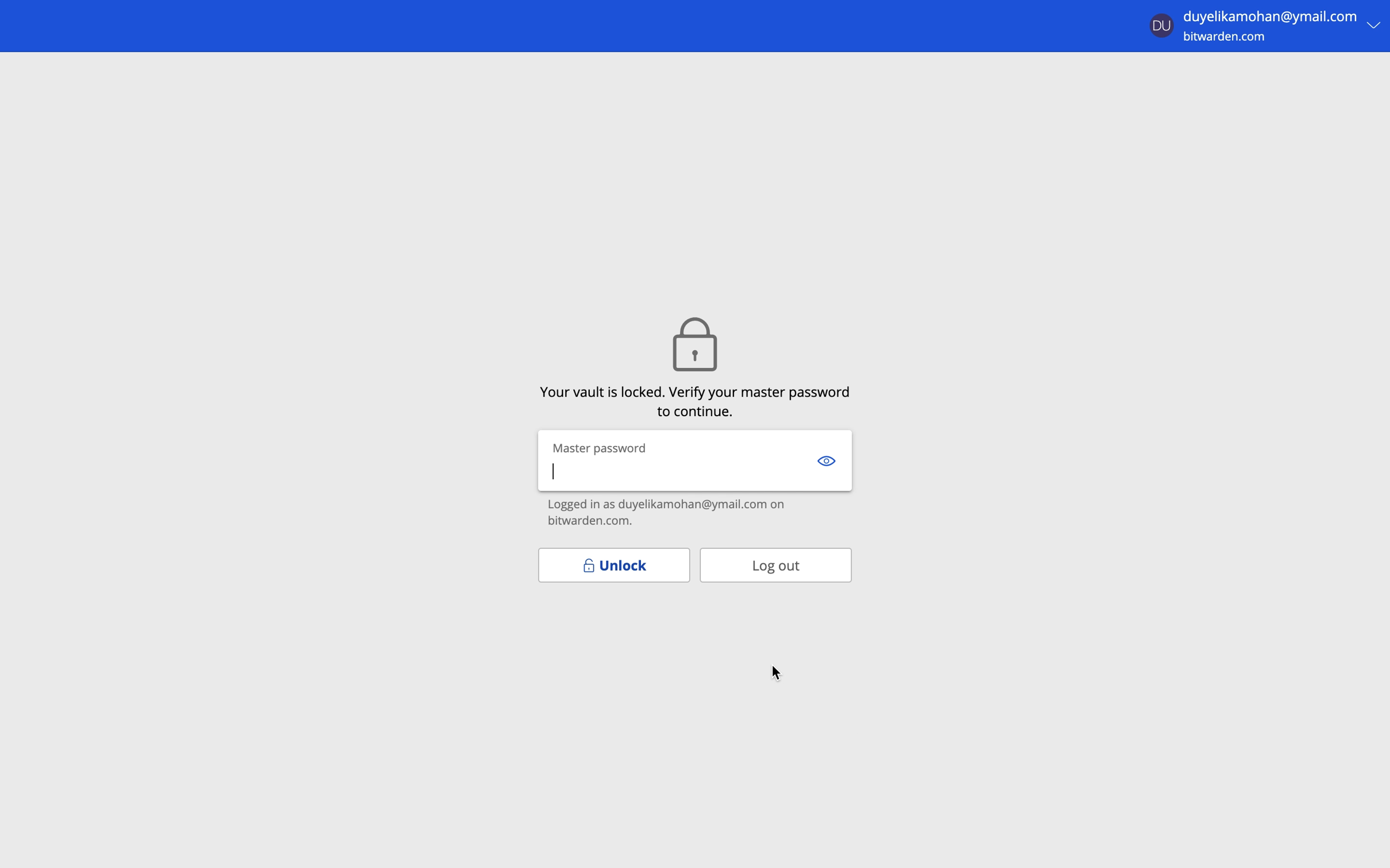  What do you see at coordinates (827, 459) in the screenshot?
I see `show password` at bounding box center [827, 459].